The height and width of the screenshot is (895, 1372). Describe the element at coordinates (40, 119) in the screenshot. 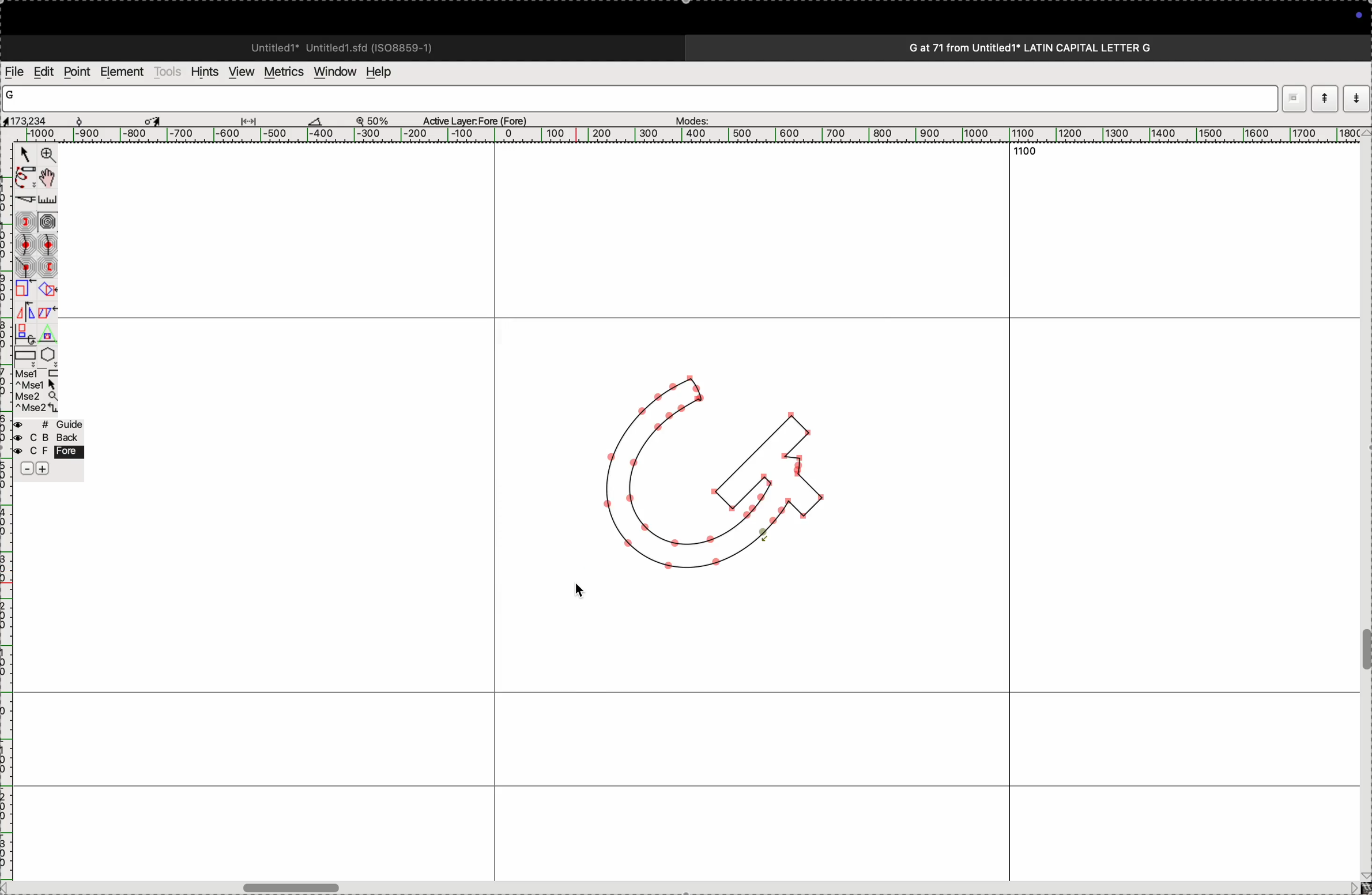

I see `cordinates` at that location.